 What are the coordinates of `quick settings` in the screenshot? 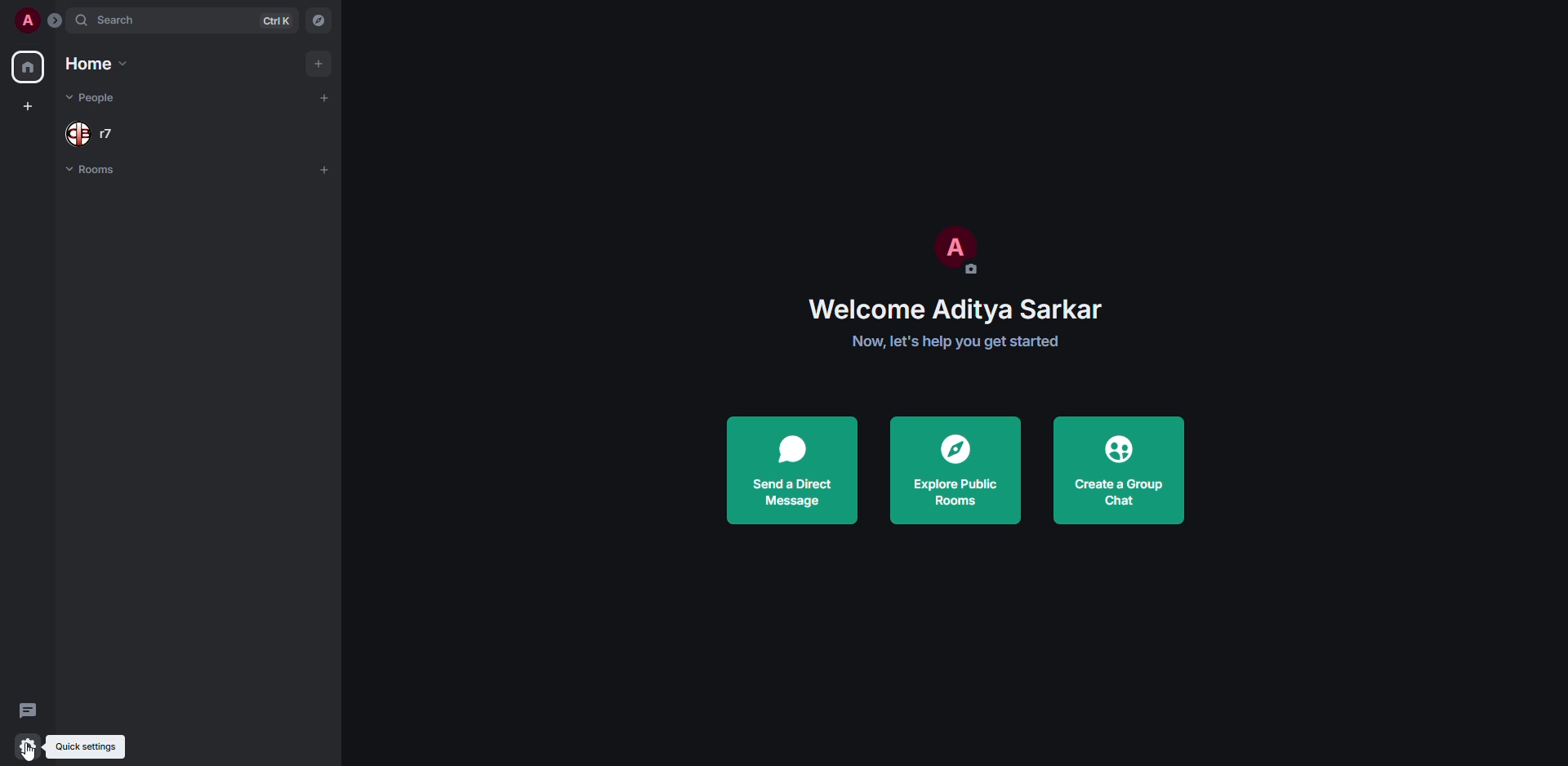 It's located at (28, 745).